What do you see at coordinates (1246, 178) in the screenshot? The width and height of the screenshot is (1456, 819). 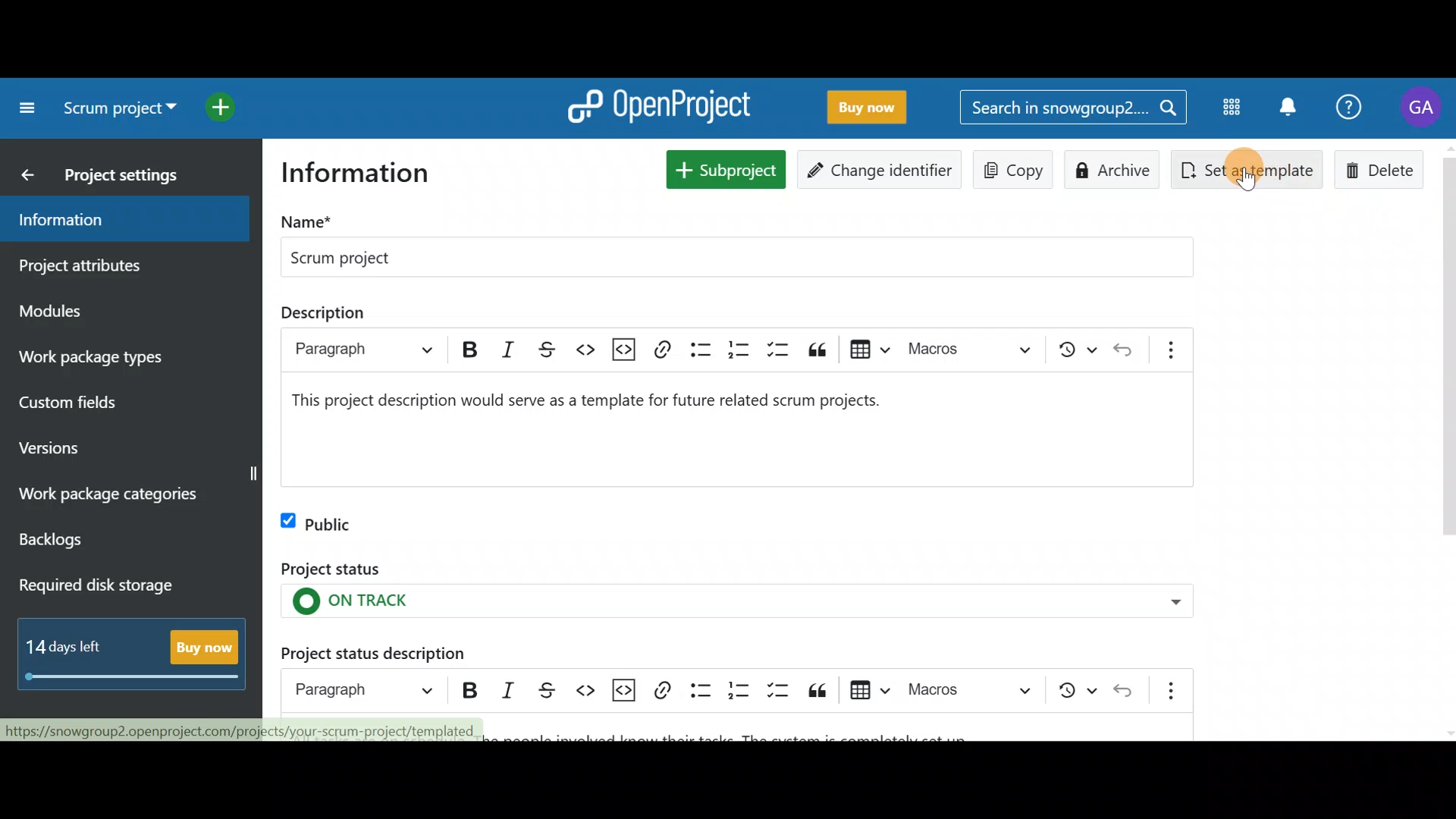 I see `Cursor` at bounding box center [1246, 178].